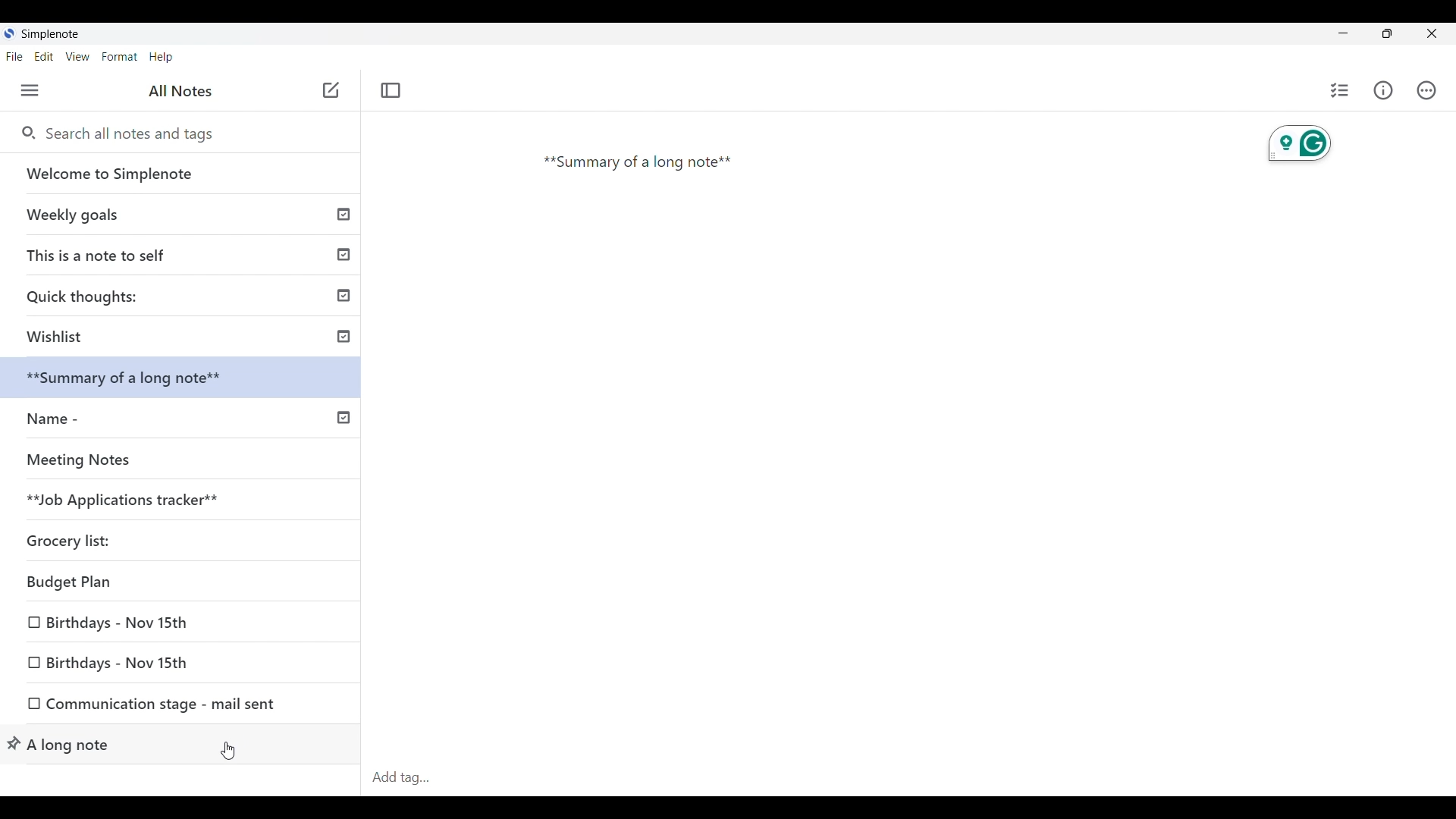  What do you see at coordinates (391, 90) in the screenshot?
I see `Toggle focus mode` at bounding box center [391, 90].